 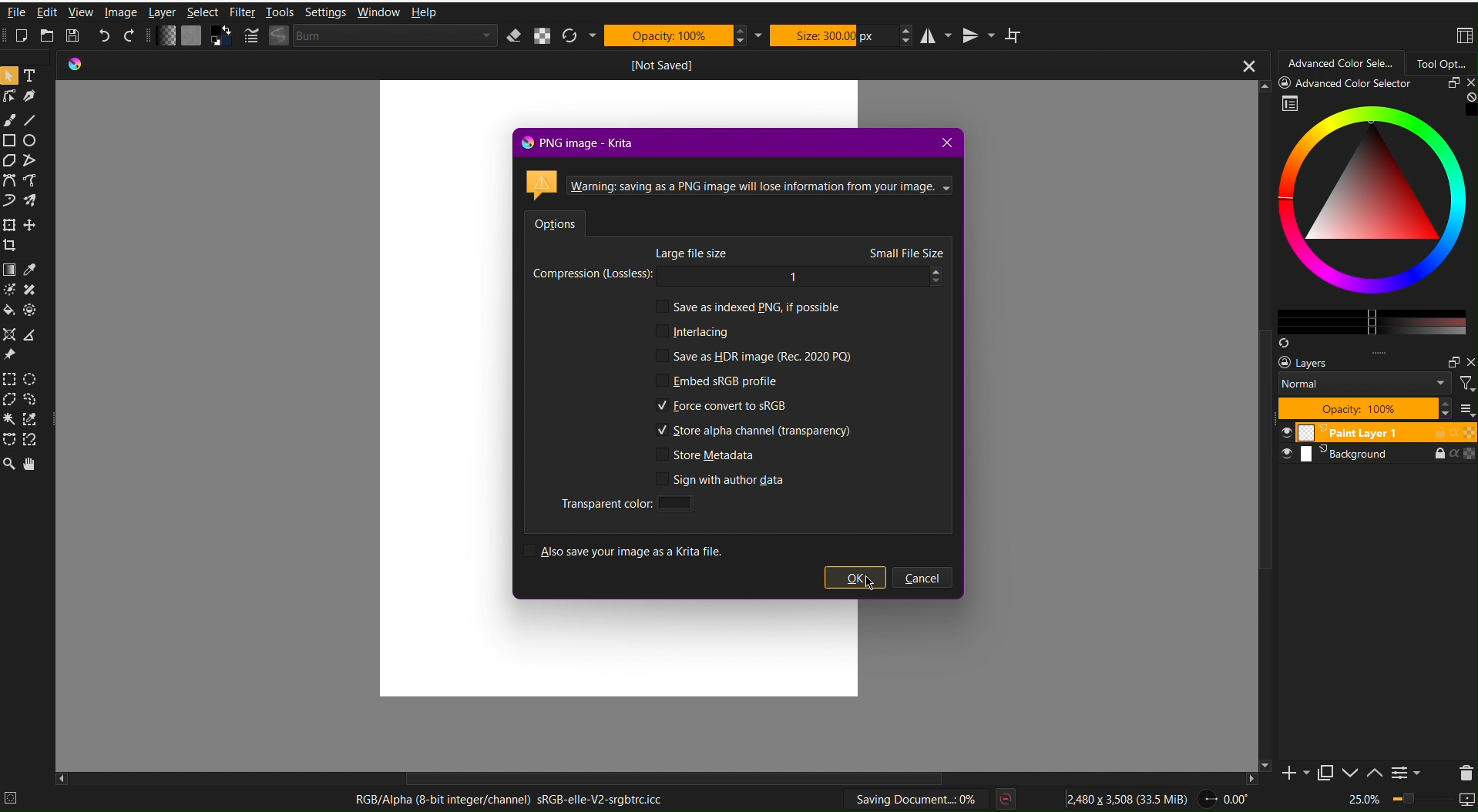 I want to click on Pointer, so click(x=9, y=76).